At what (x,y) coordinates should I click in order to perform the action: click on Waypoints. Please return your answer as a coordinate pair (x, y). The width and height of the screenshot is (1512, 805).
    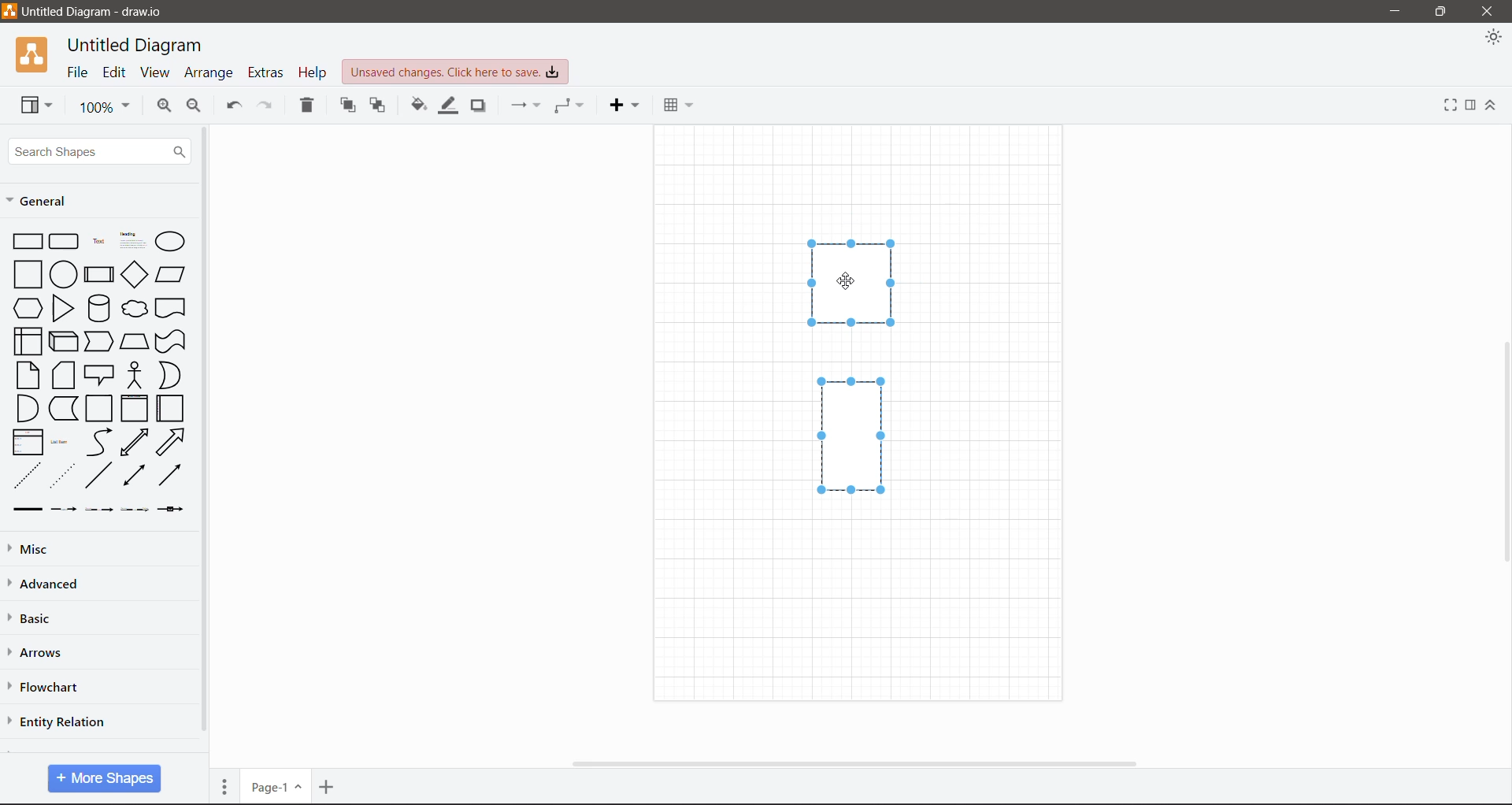
    Looking at the image, I should click on (569, 107).